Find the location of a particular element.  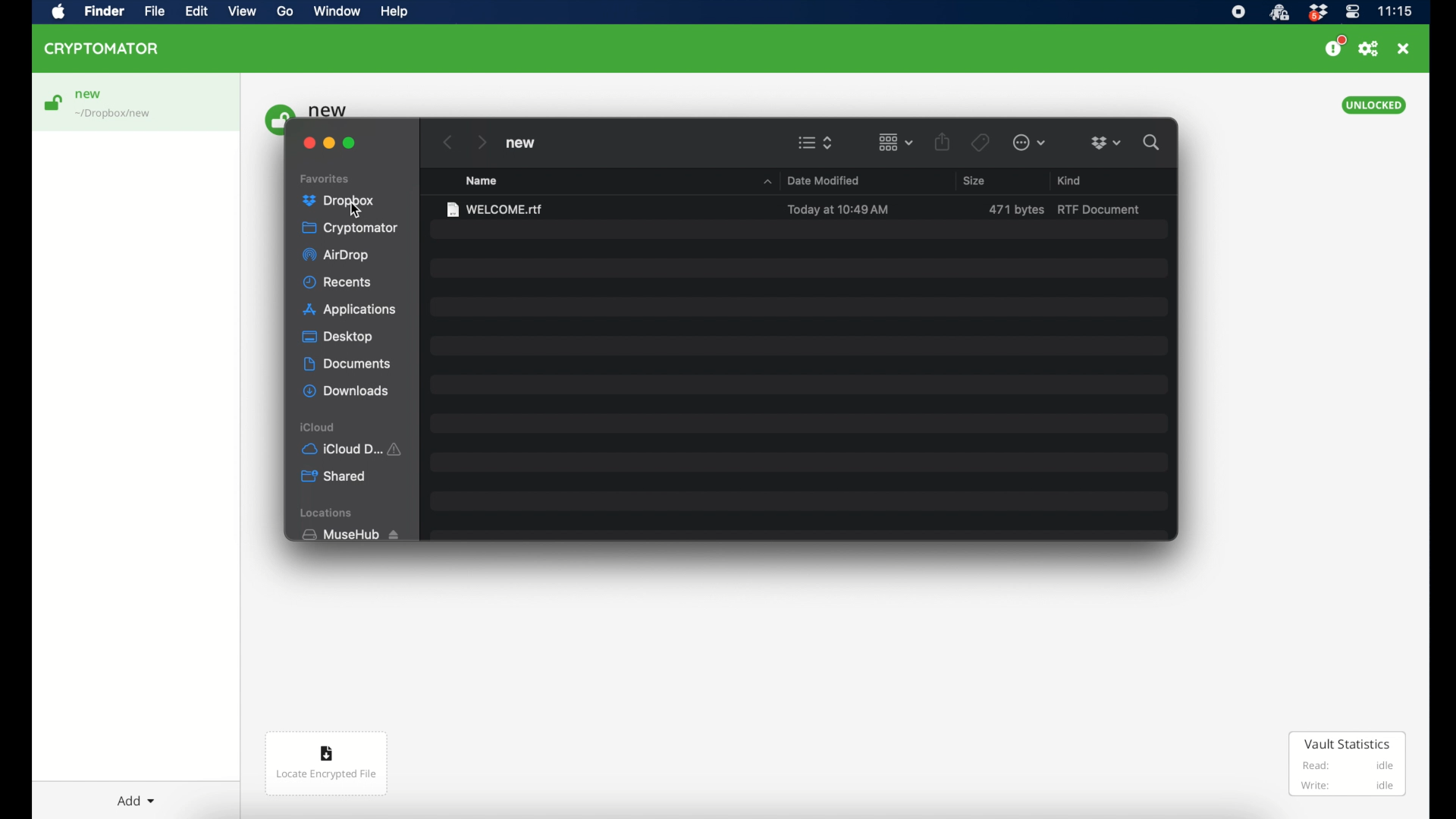

next is located at coordinates (482, 143).